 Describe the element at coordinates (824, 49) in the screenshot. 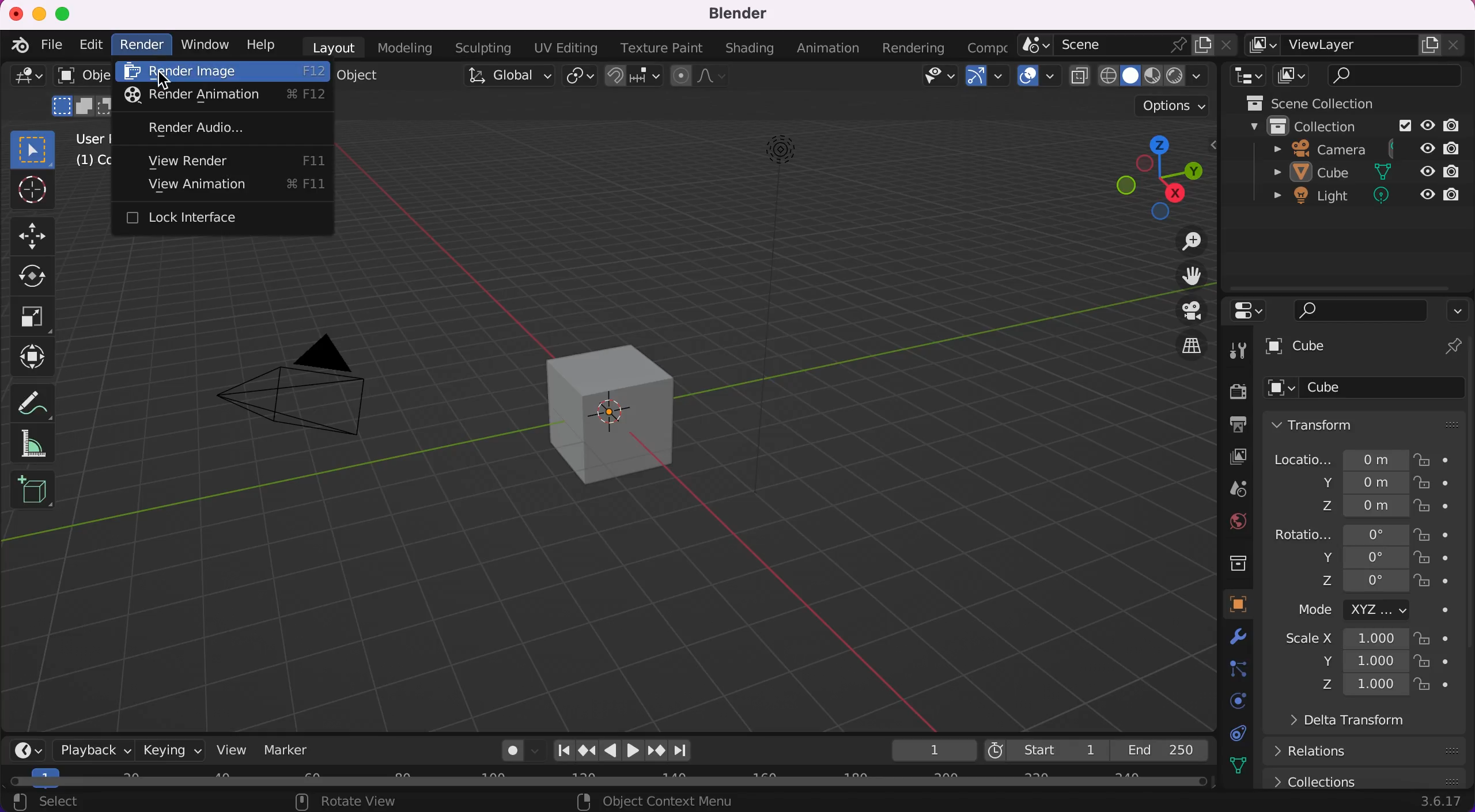

I see `animation` at that location.